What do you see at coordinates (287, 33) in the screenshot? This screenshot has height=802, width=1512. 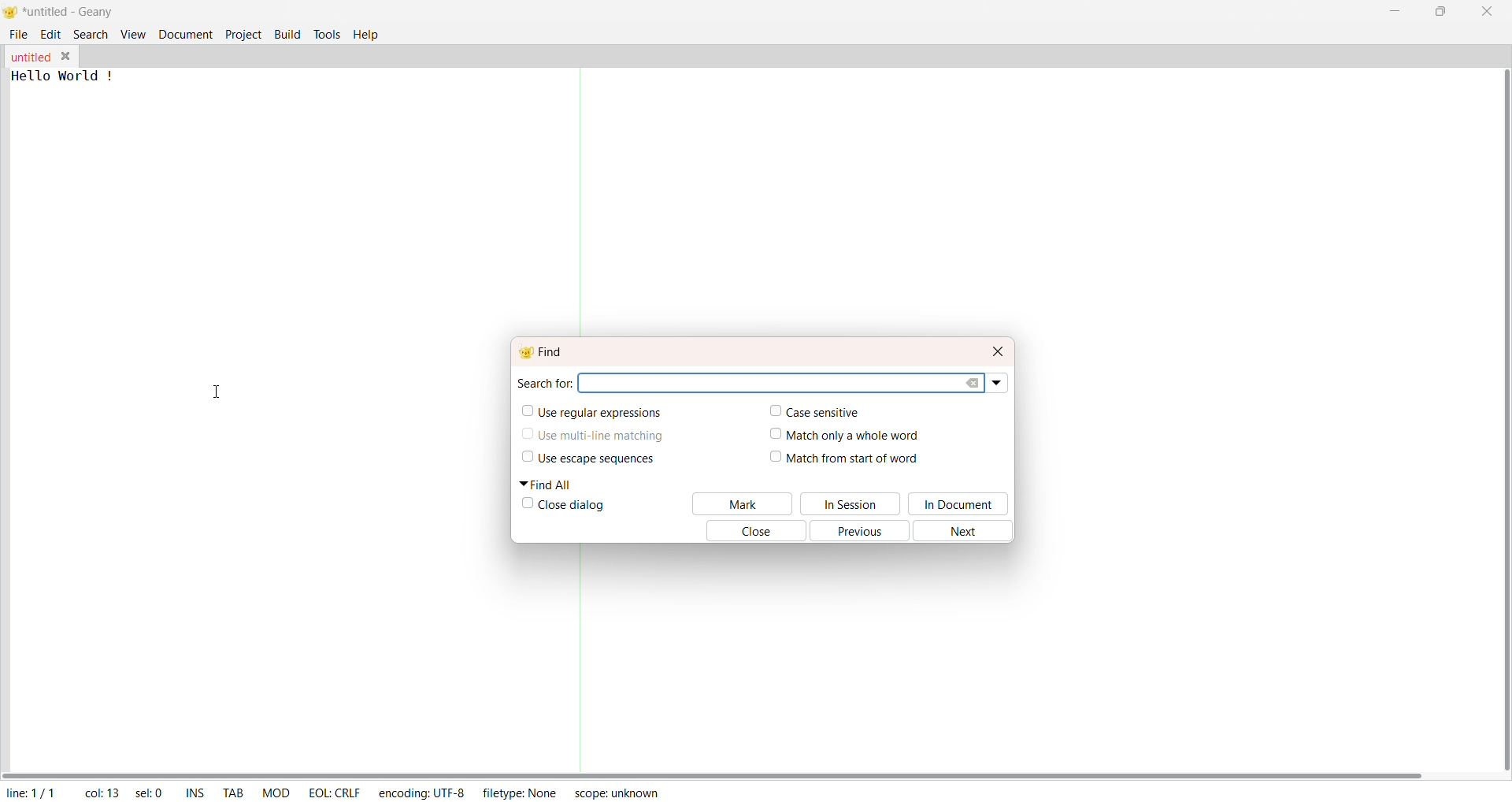 I see `Build` at bounding box center [287, 33].